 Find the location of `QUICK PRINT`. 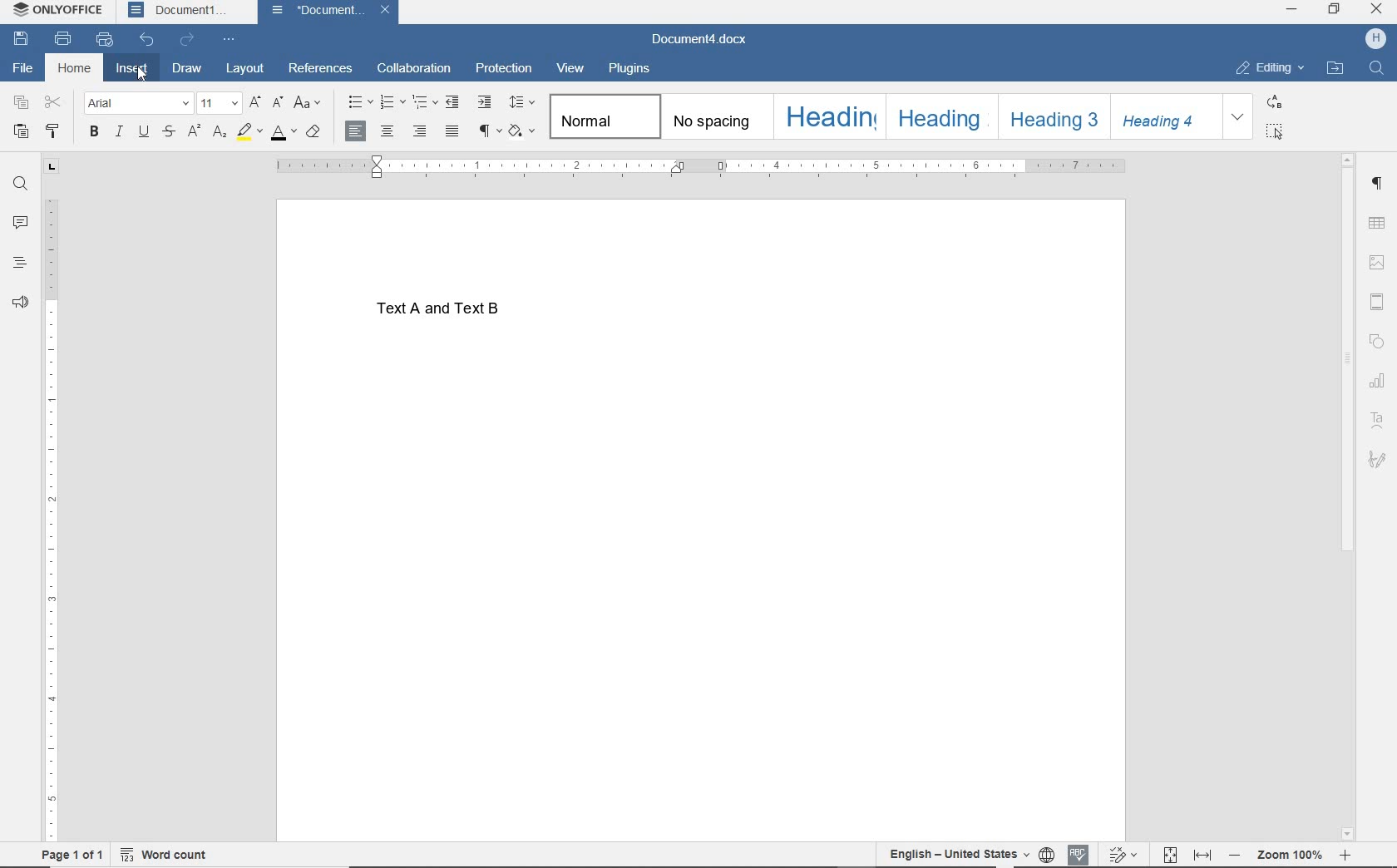

QUICK PRINT is located at coordinates (105, 41).